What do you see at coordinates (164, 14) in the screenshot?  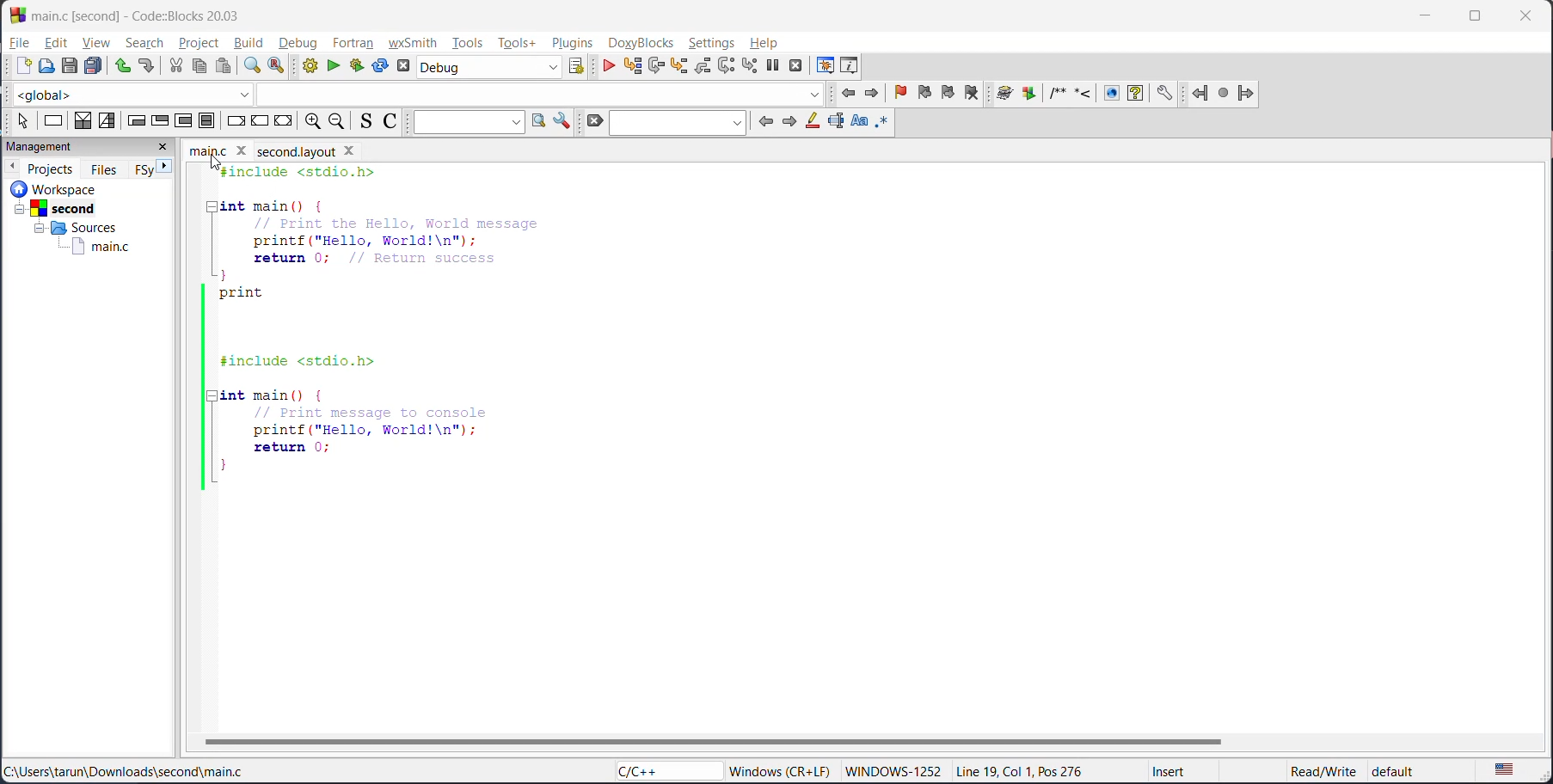 I see `app name and file name` at bounding box center [164, 14].